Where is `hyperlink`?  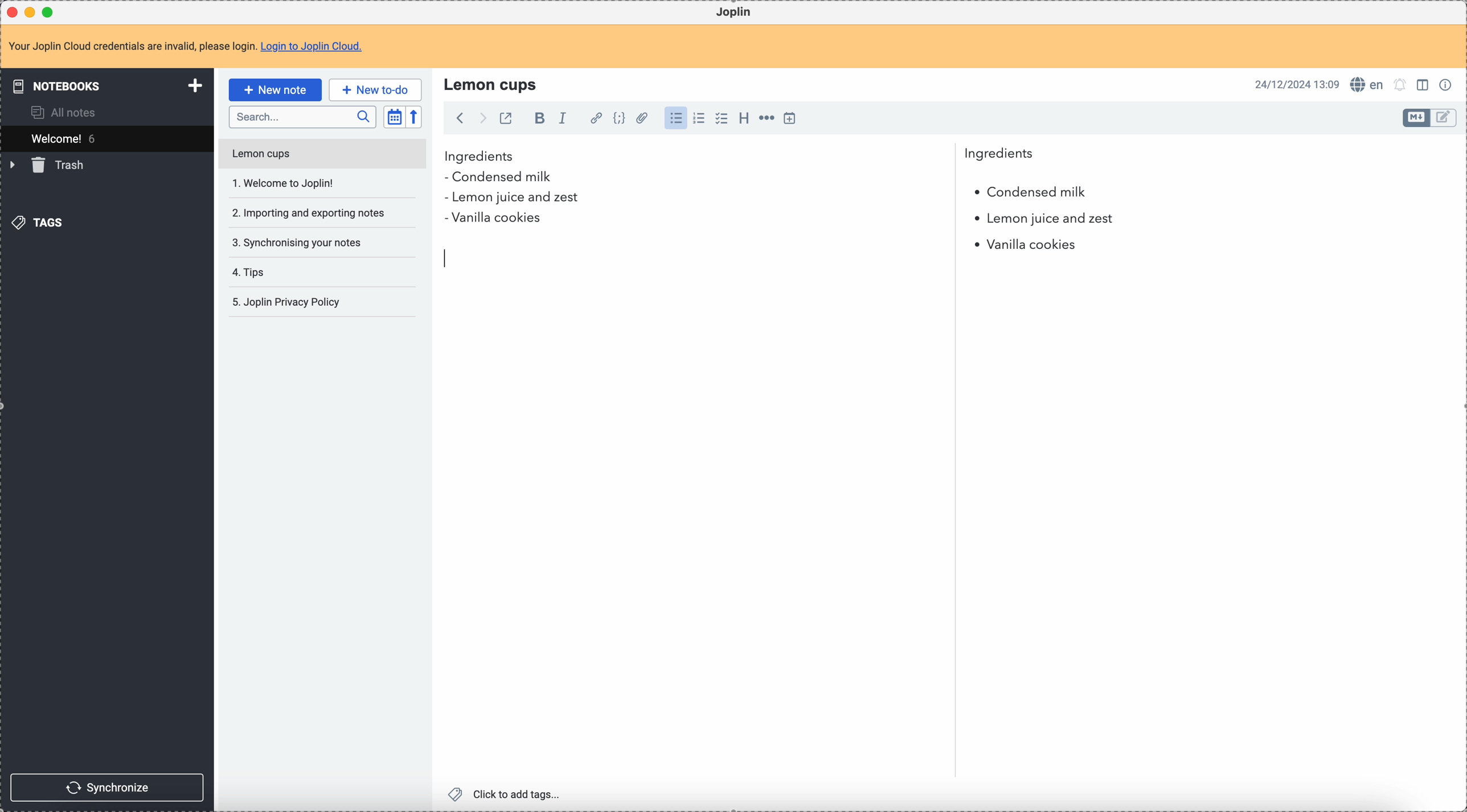 hyperlink is located at coordinates (594, 119).